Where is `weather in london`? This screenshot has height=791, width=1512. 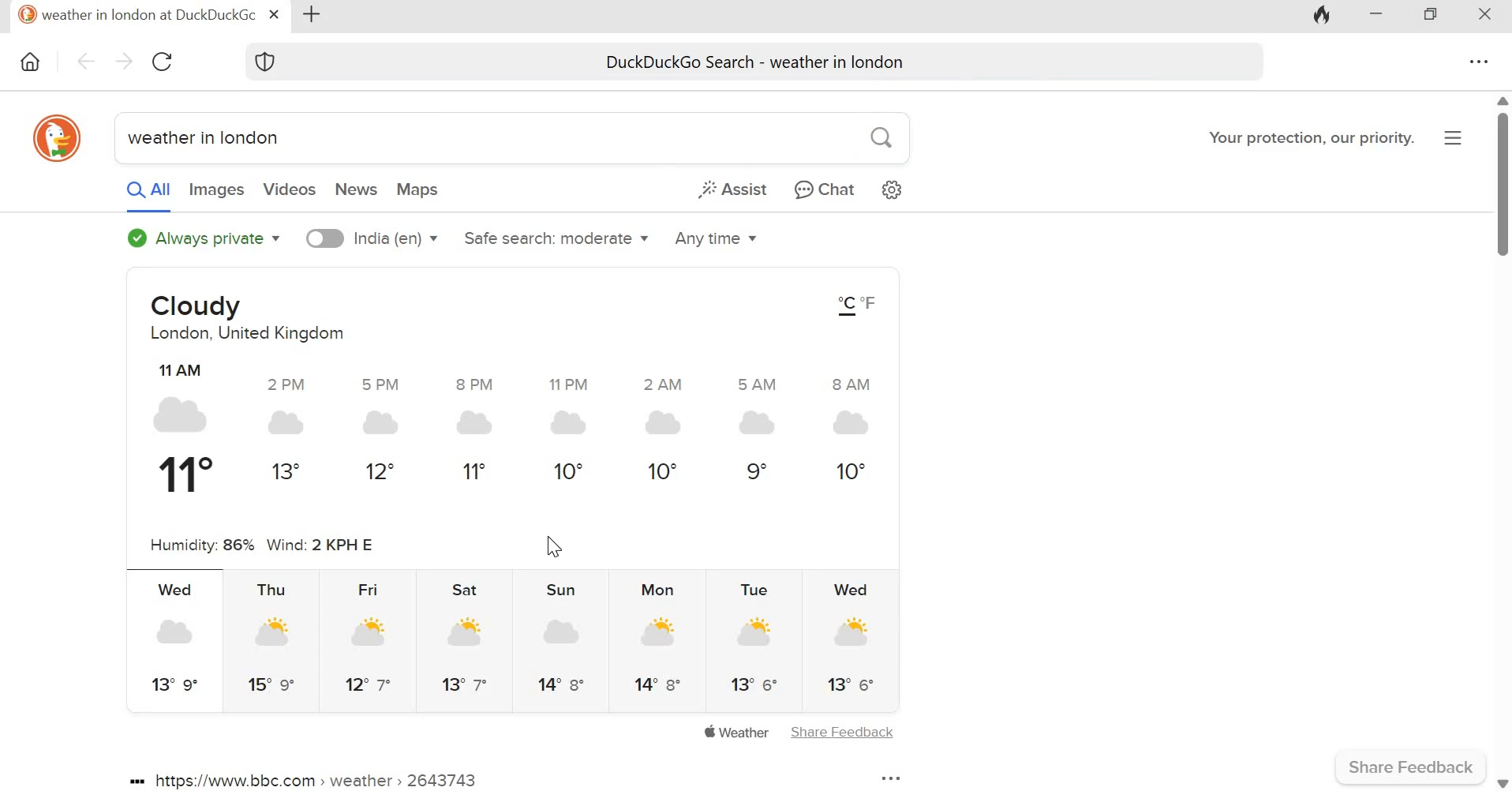
weather in london is located at coordinates (202, 139).